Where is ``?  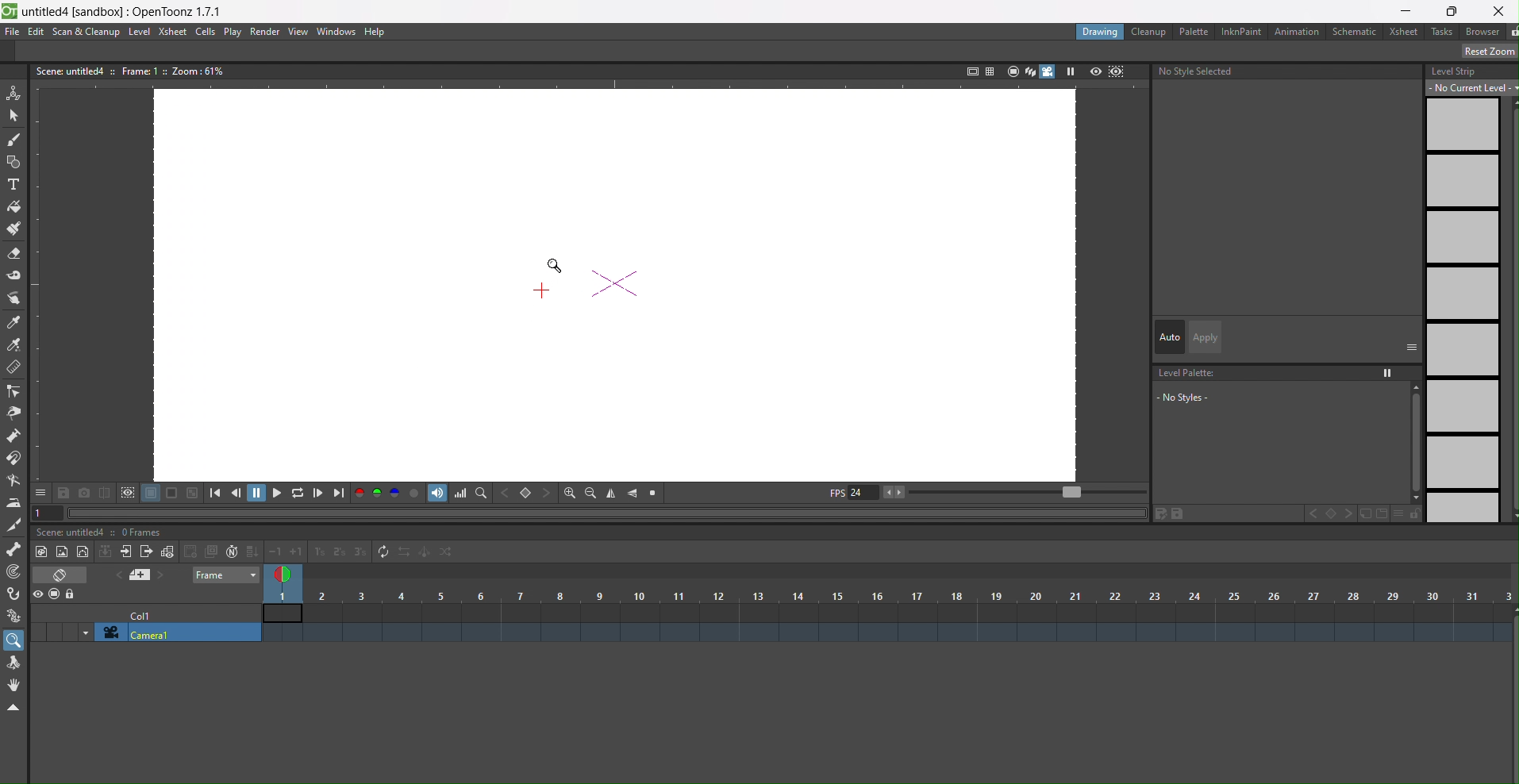  is located at coordinates (251, 552).